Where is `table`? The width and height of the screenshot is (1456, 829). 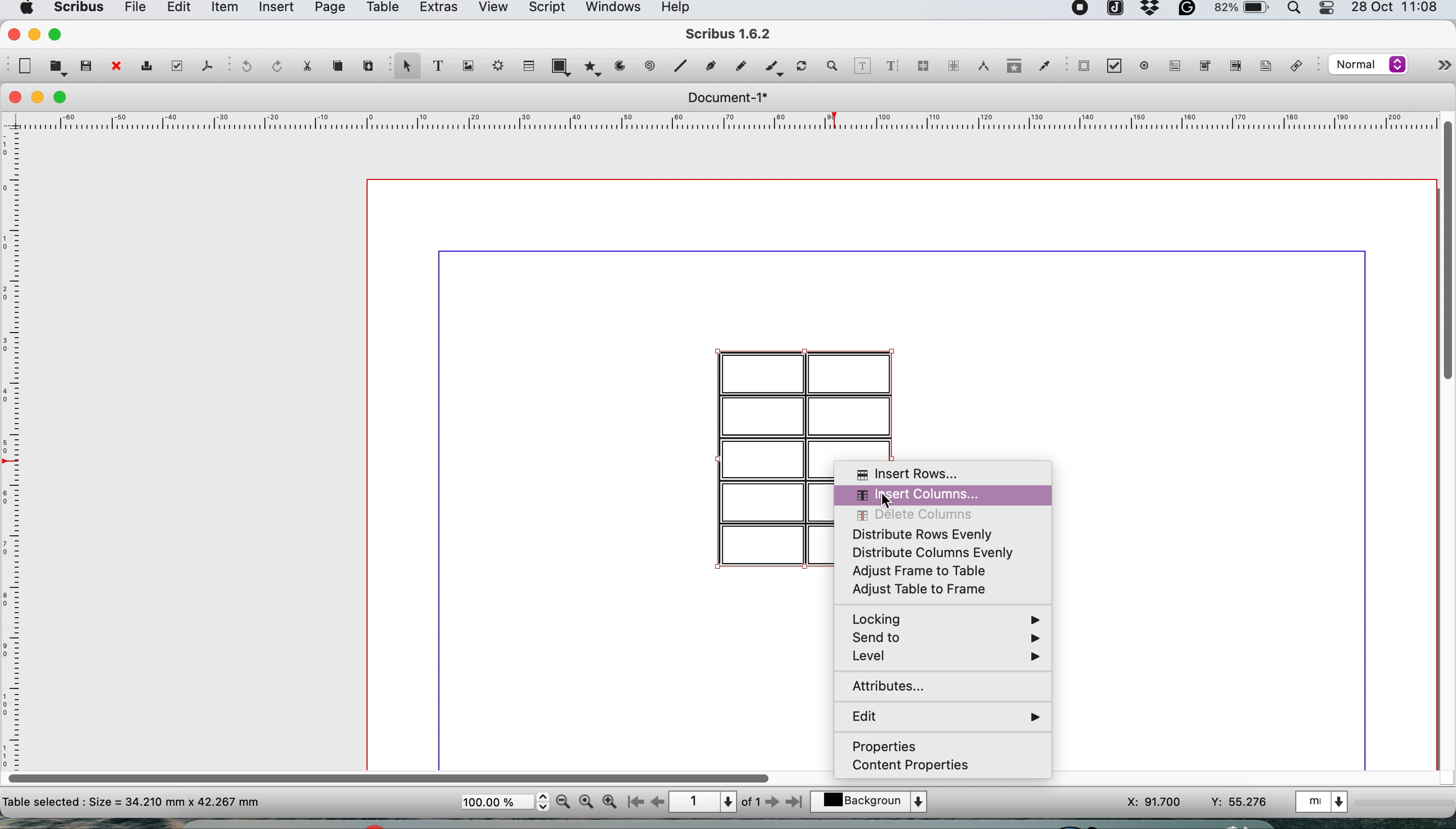 table is located at coordinates (527, 65).